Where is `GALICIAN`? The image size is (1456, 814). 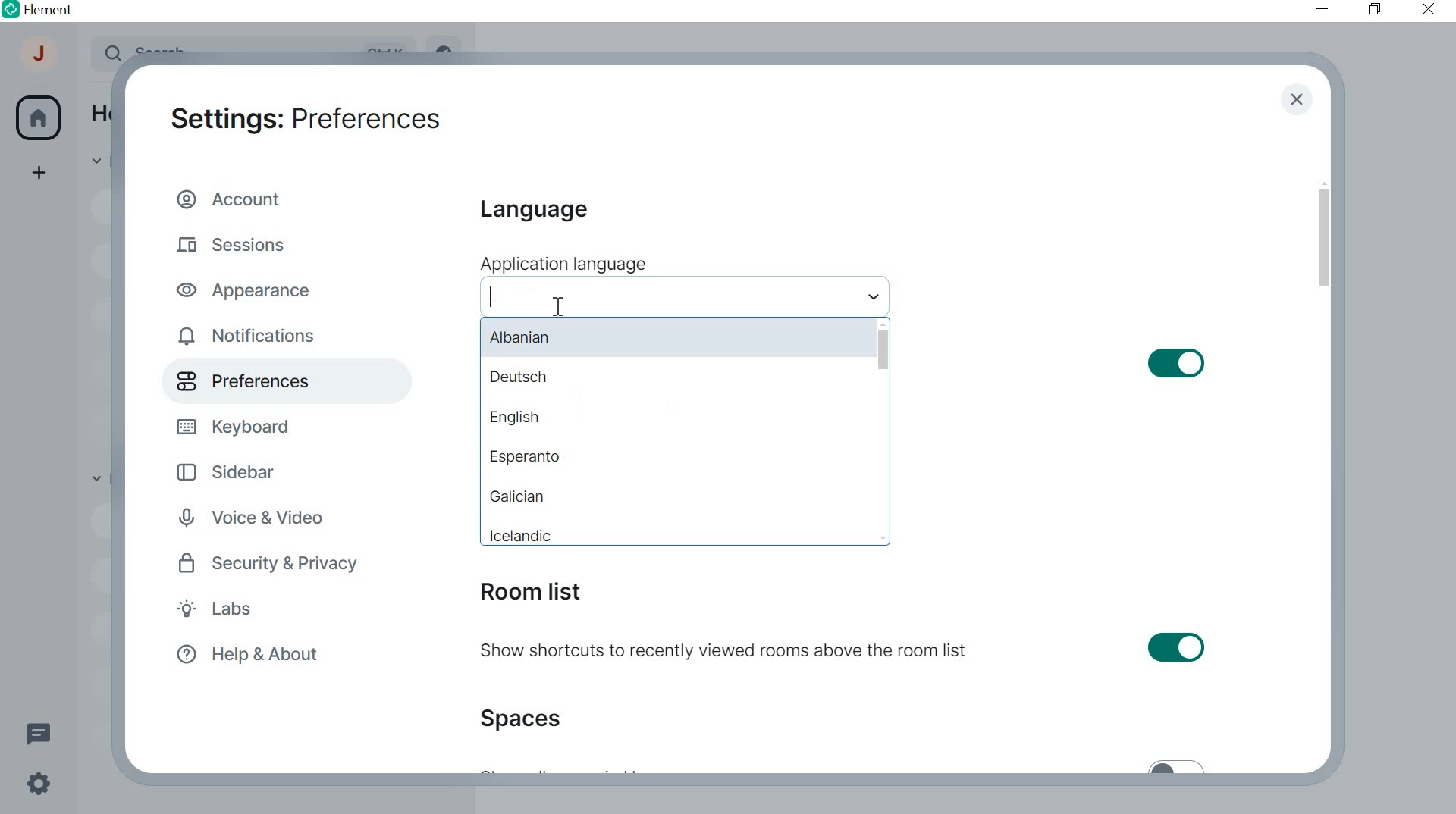 GALICIAN is located at coordinates (679, 494).